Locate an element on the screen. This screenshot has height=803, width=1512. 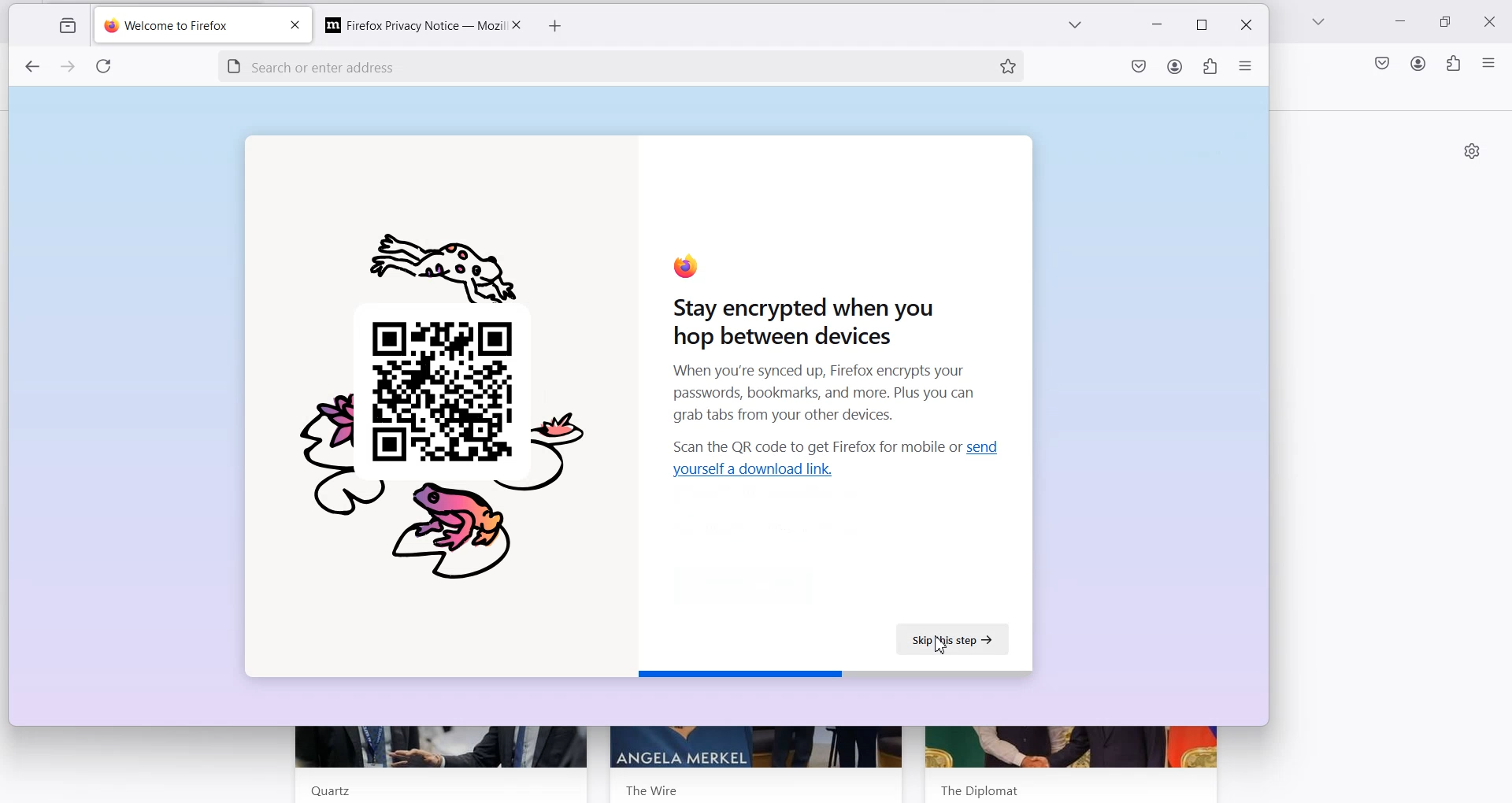
Quartz is located at coordinates (324, 790).